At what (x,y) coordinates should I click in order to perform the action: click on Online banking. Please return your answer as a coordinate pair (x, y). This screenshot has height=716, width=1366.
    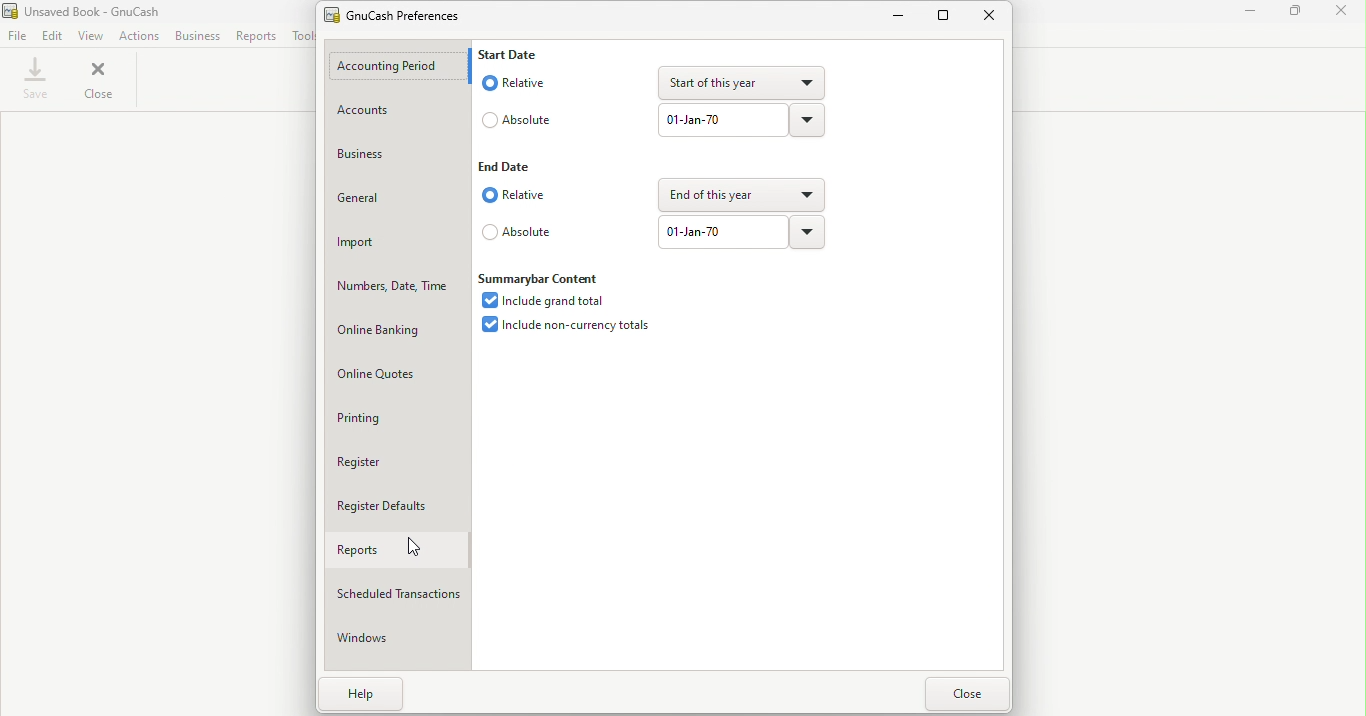
    Looking at the image, I should click on (392, 333).